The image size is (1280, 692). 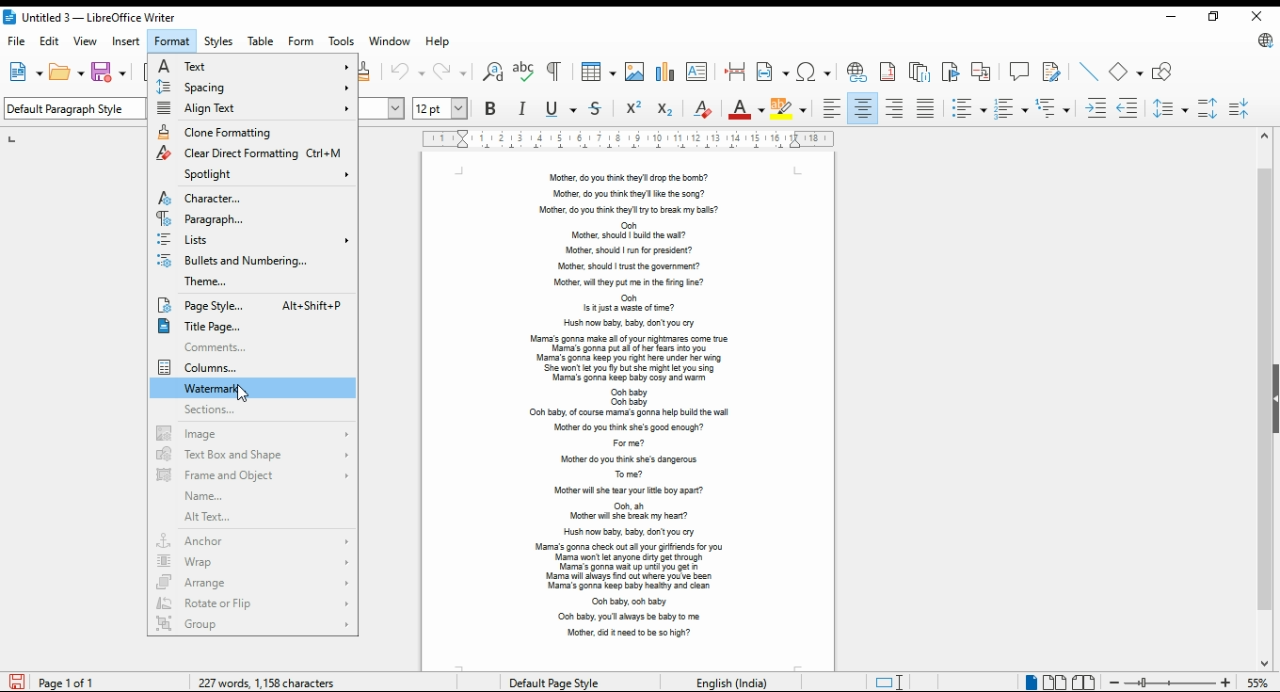 What do you see at coordinates (302, 42) in the screenshot?
I see `form` at bounding box center [302, 42].